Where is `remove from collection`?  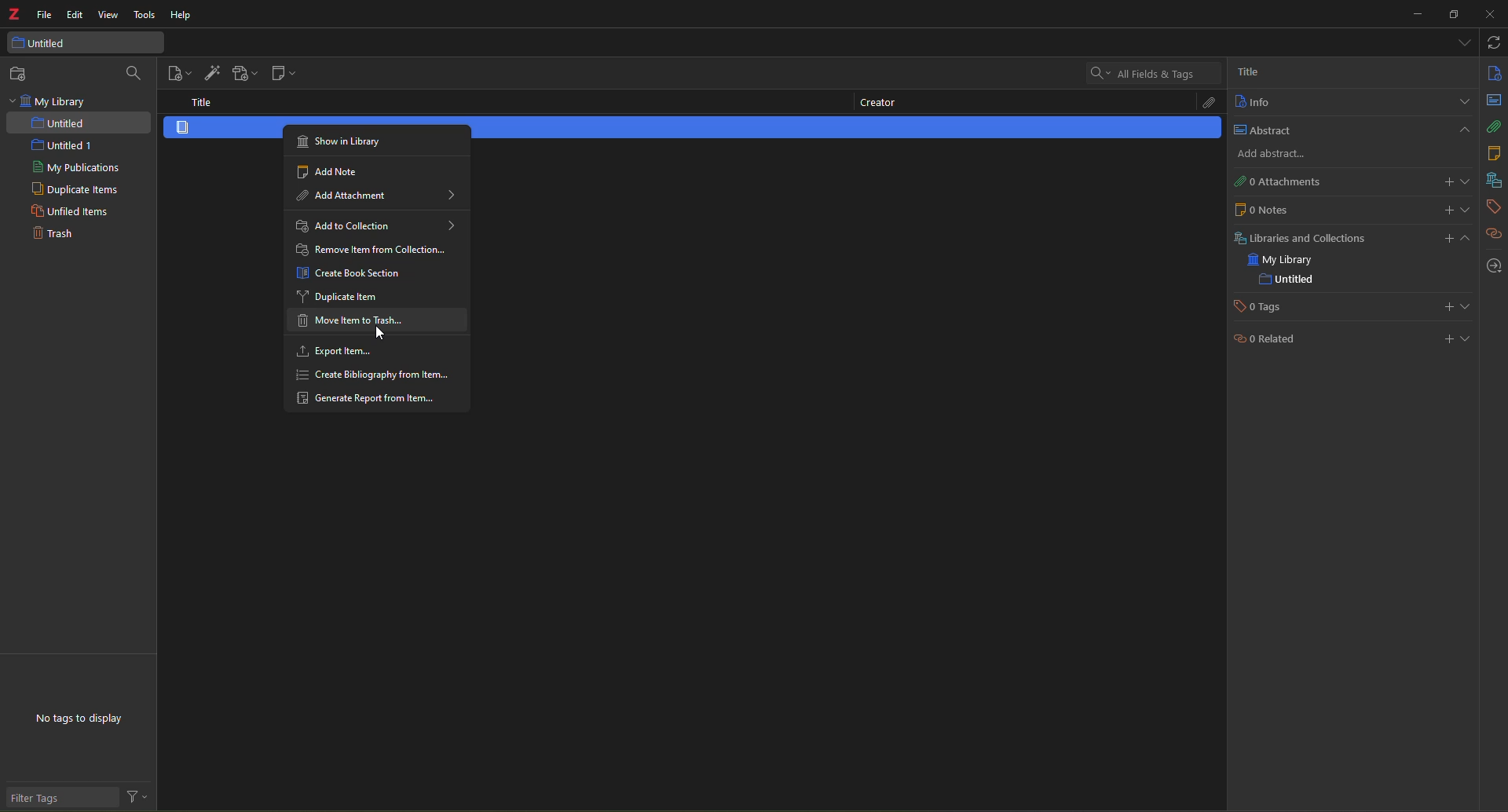 remove from collection is located at coordinates (373, 251).